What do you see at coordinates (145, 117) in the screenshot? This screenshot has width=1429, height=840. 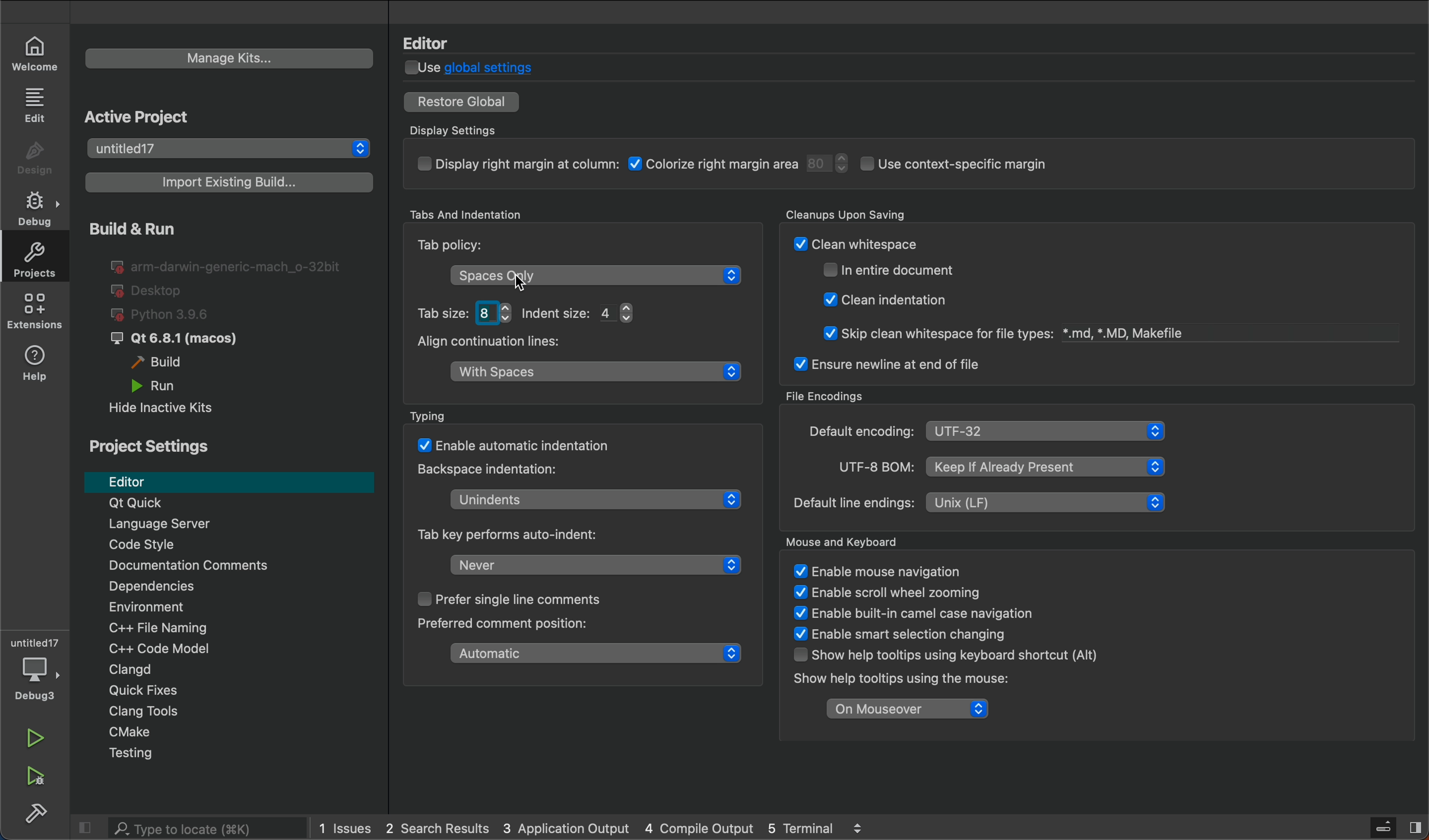 I see `Active Project` at bounding box center [145, 117].